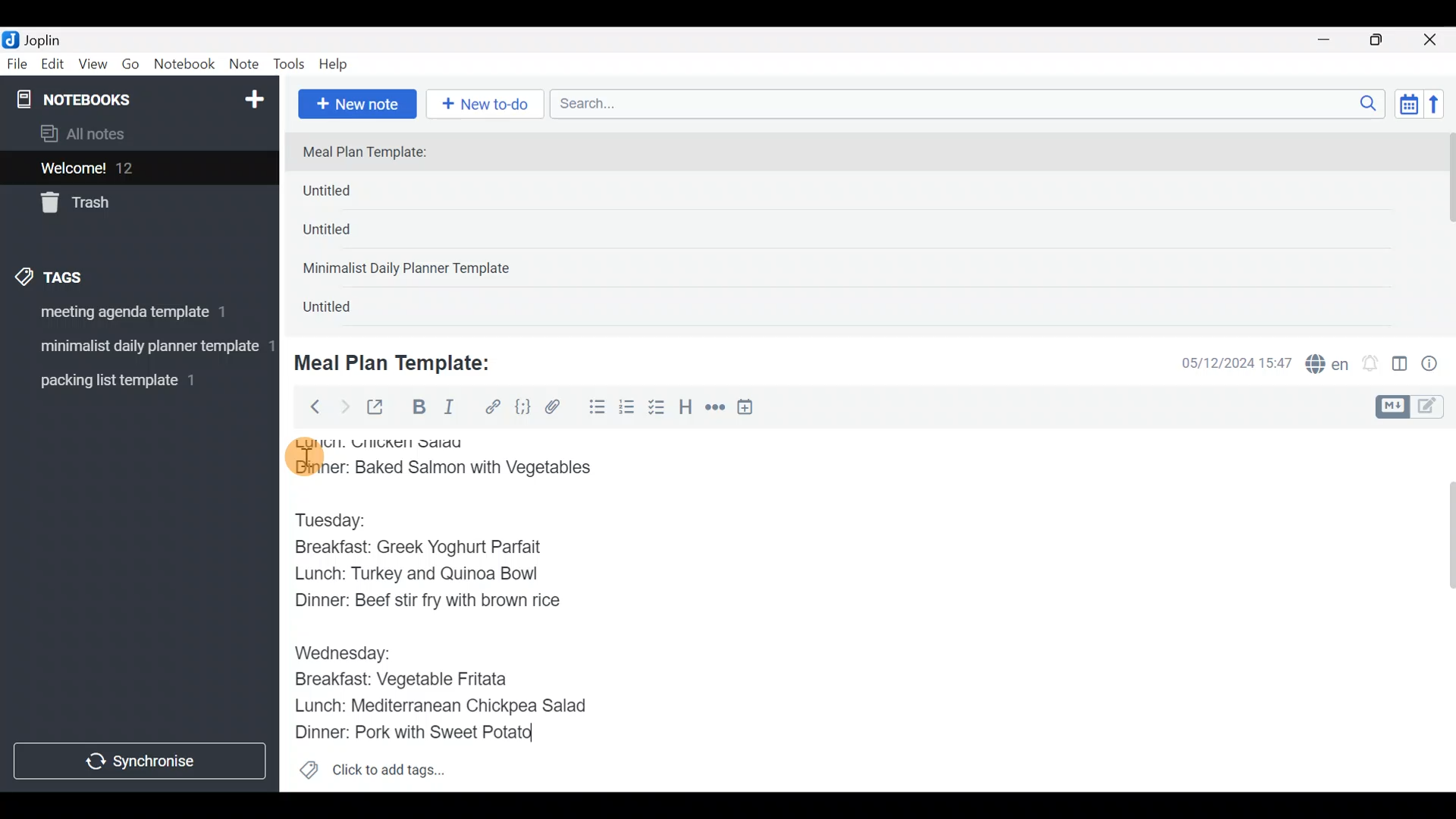 The image size is (1456, 819). Describe the element at coordinates (557, 409) in the screenshot. I see `Attach file` at that location.